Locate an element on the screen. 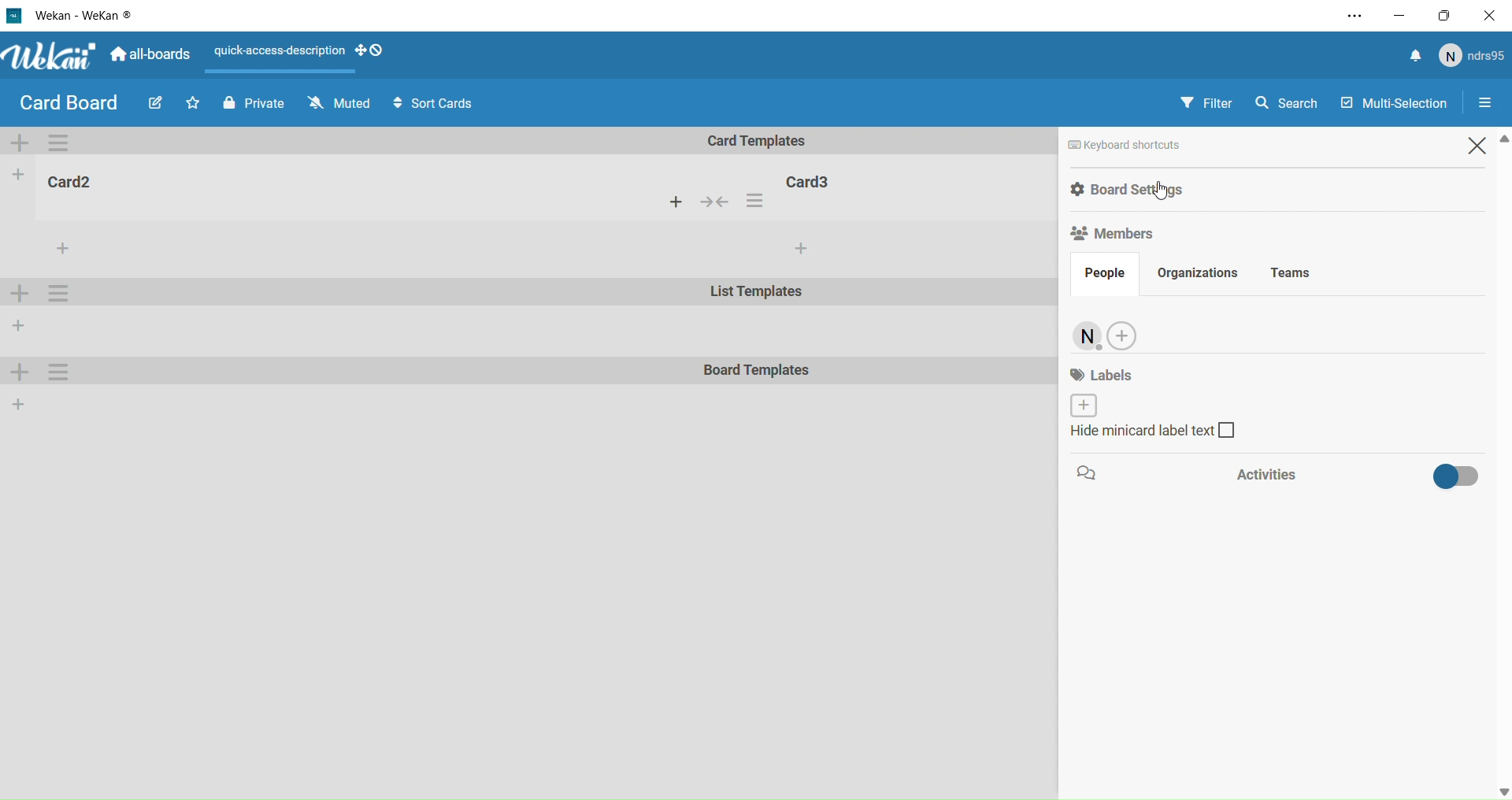   is located at coordinates (57, 143).